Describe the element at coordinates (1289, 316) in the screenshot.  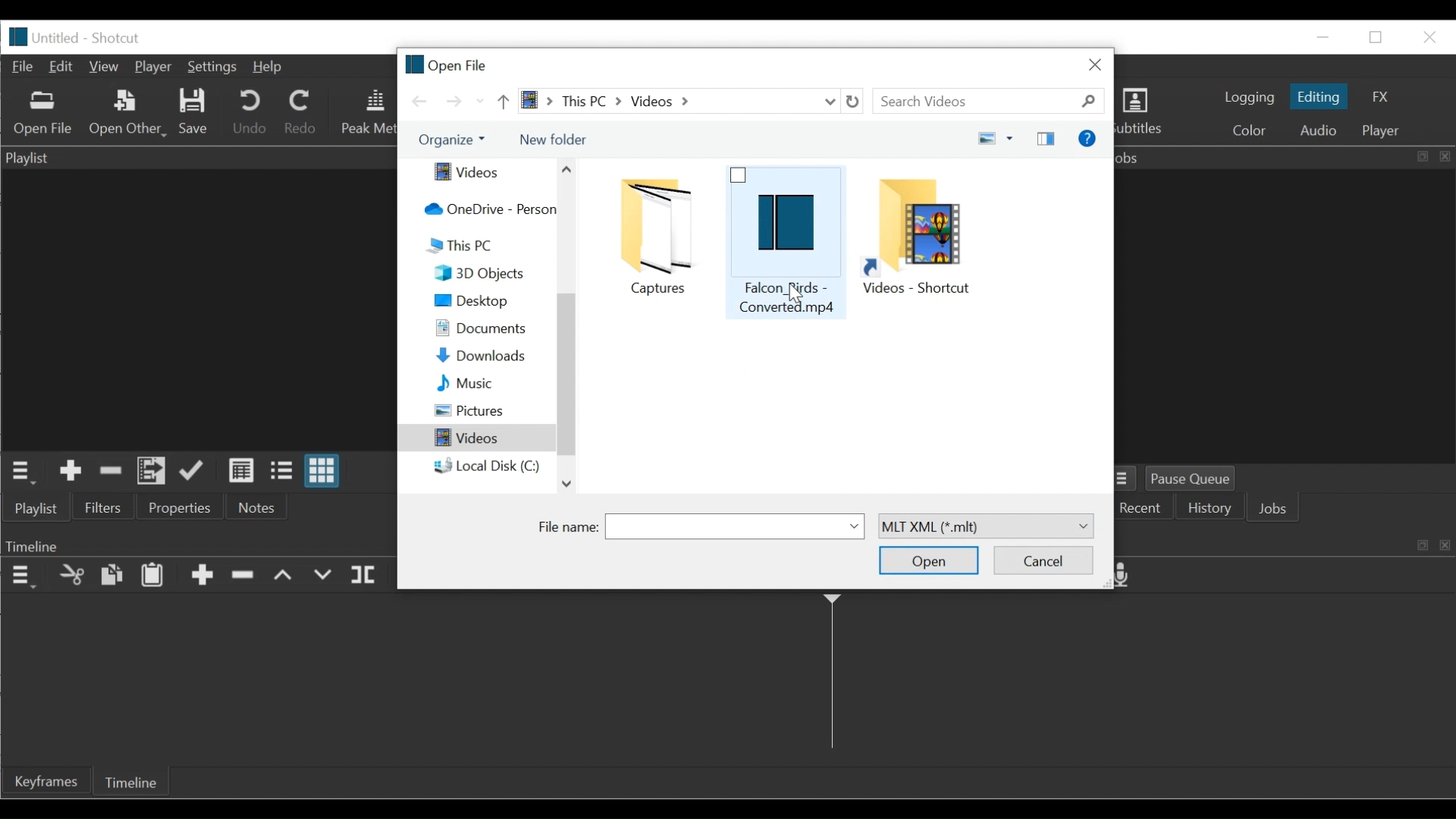
I see `Jobs Panel` at that location.